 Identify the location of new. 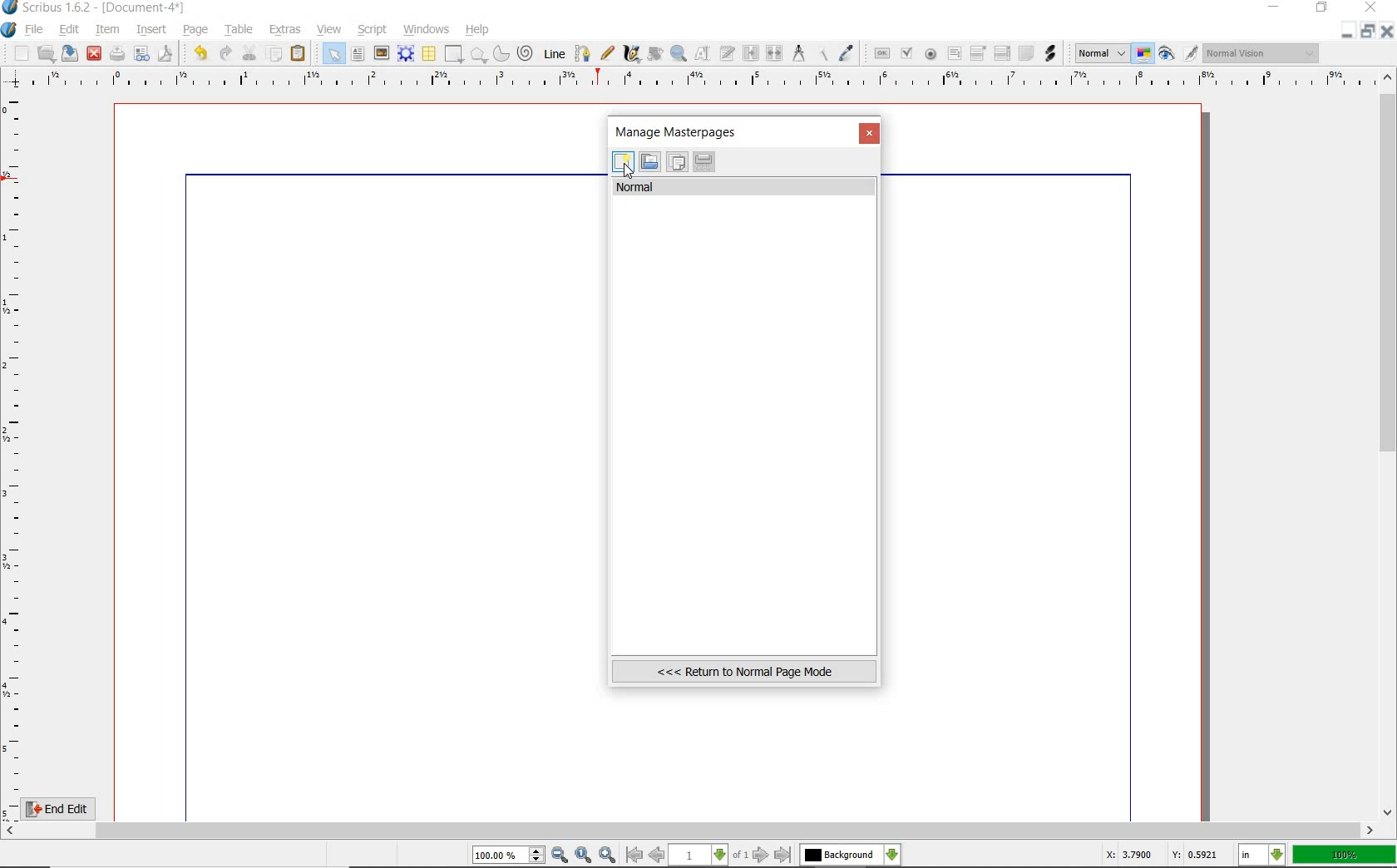
(16, 53).